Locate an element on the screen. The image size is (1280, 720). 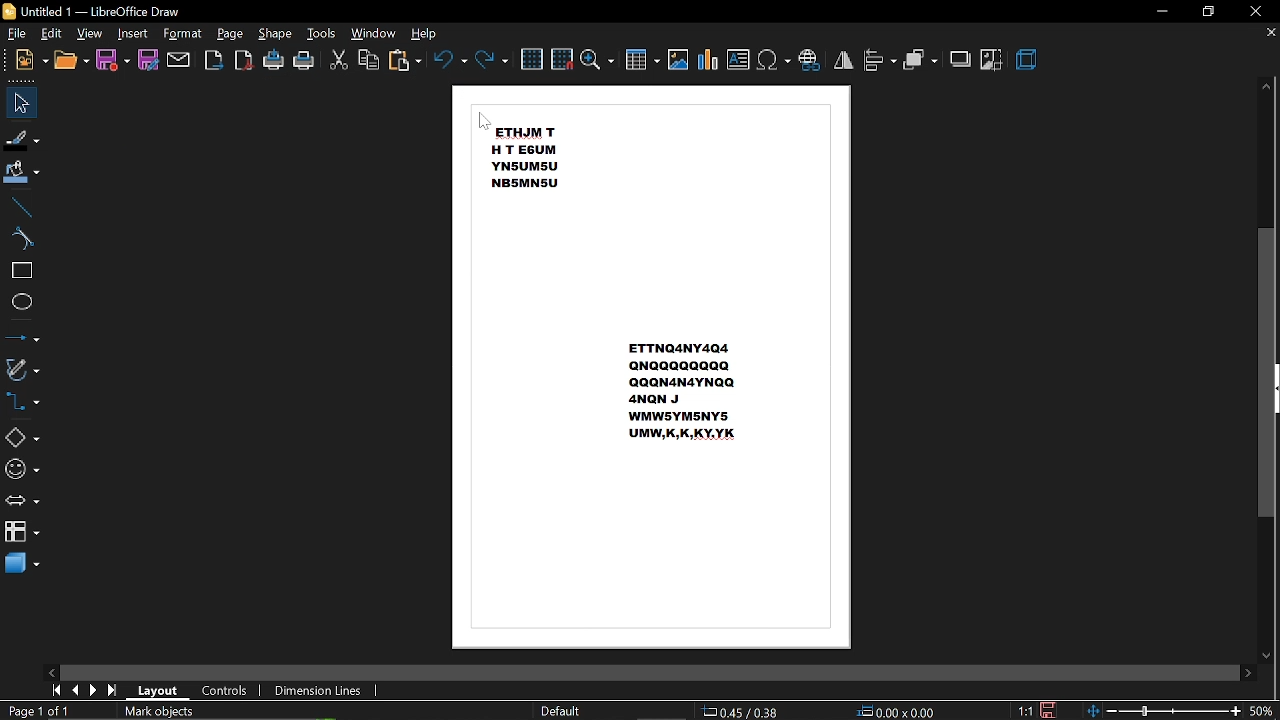
tools is located at coordinates (324, 33).